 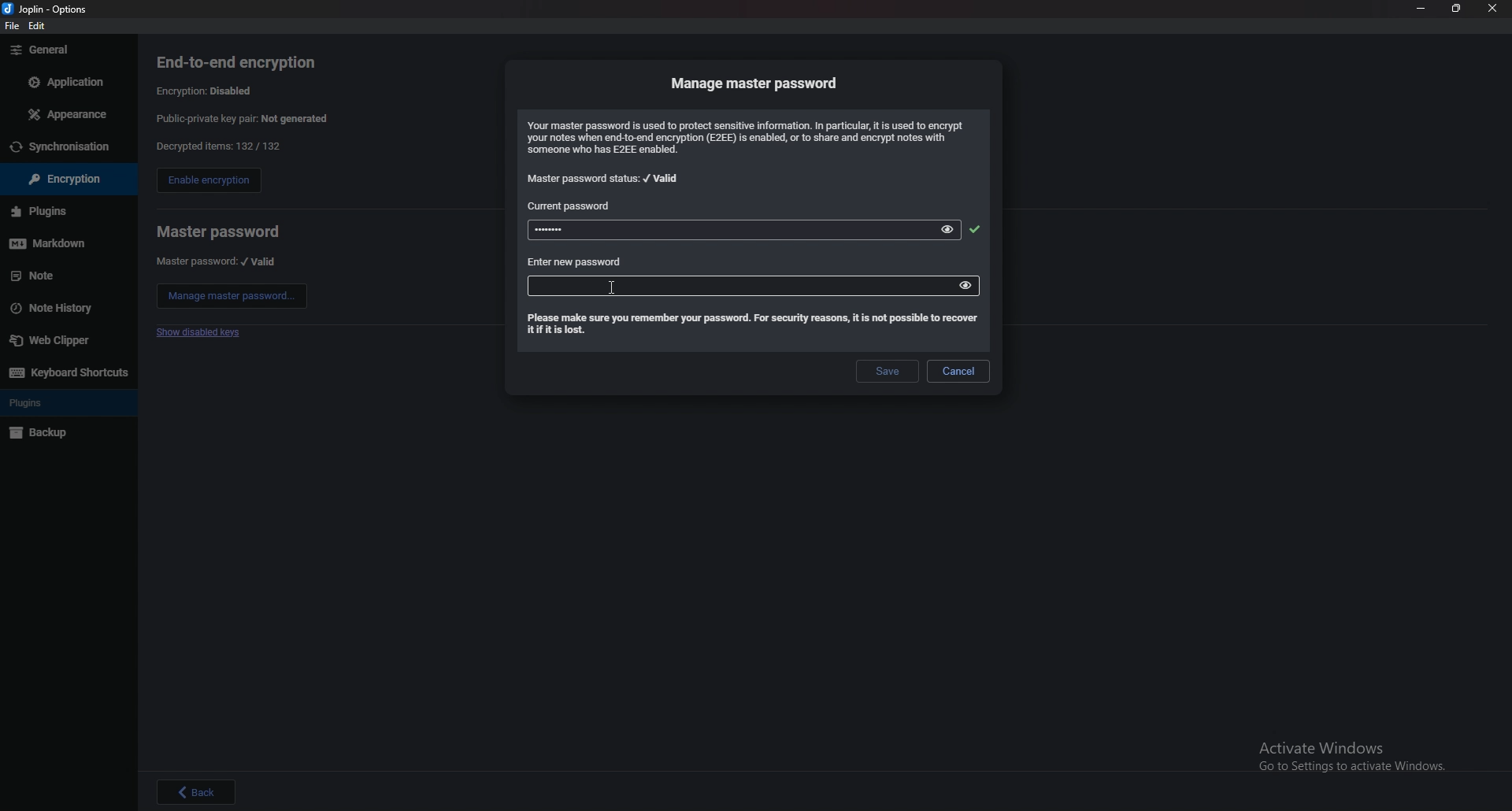 I want to click on markdown, so click(x=63, y=243).